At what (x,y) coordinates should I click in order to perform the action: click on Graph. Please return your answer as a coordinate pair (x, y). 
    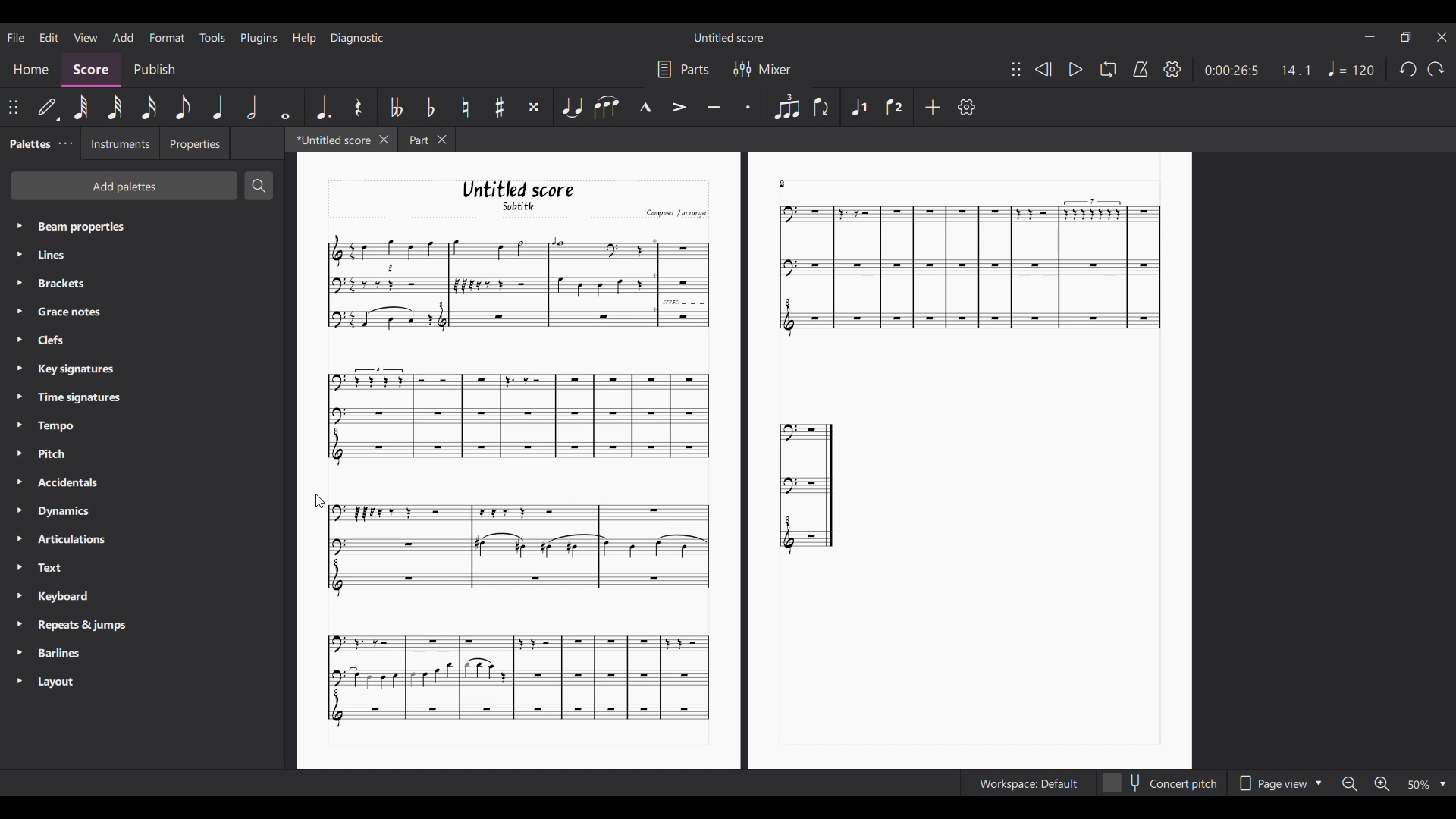
    Looking at the image, I should click on (516, 283).